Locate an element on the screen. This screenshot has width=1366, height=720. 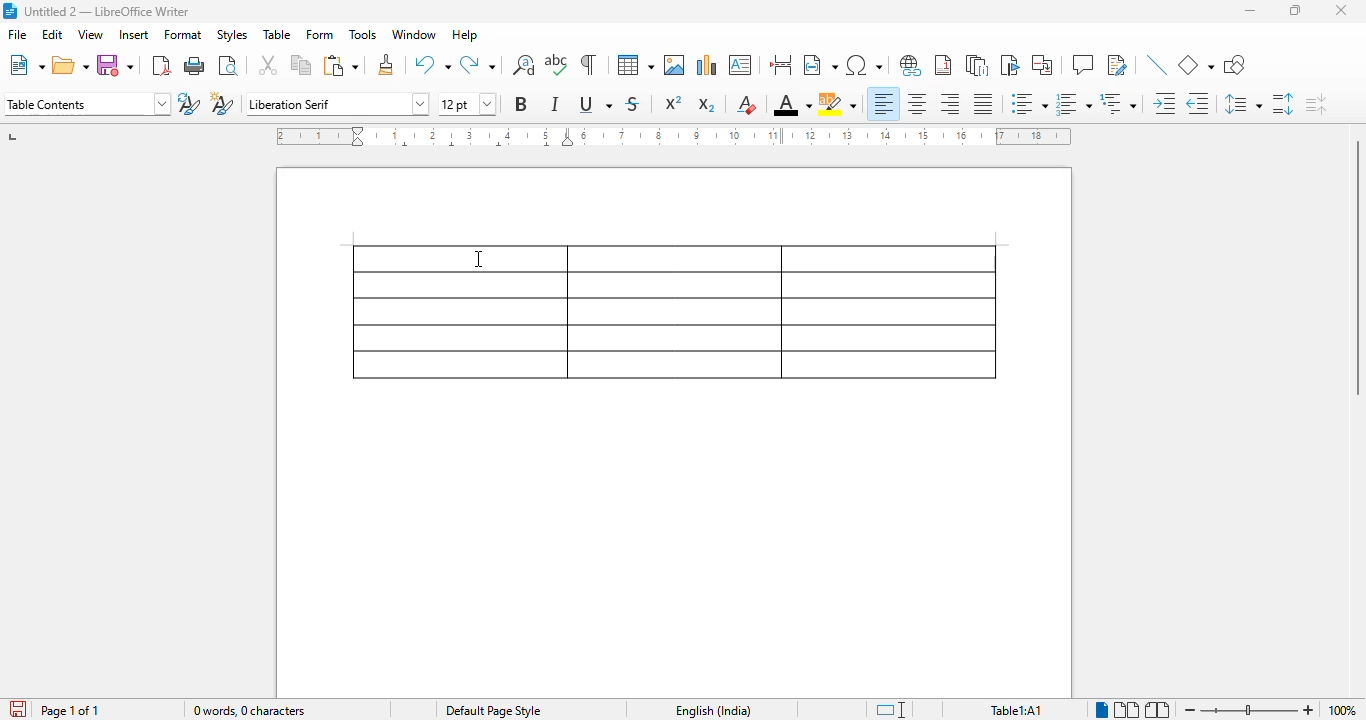
select outline format is located at coordinates (1119, 103).